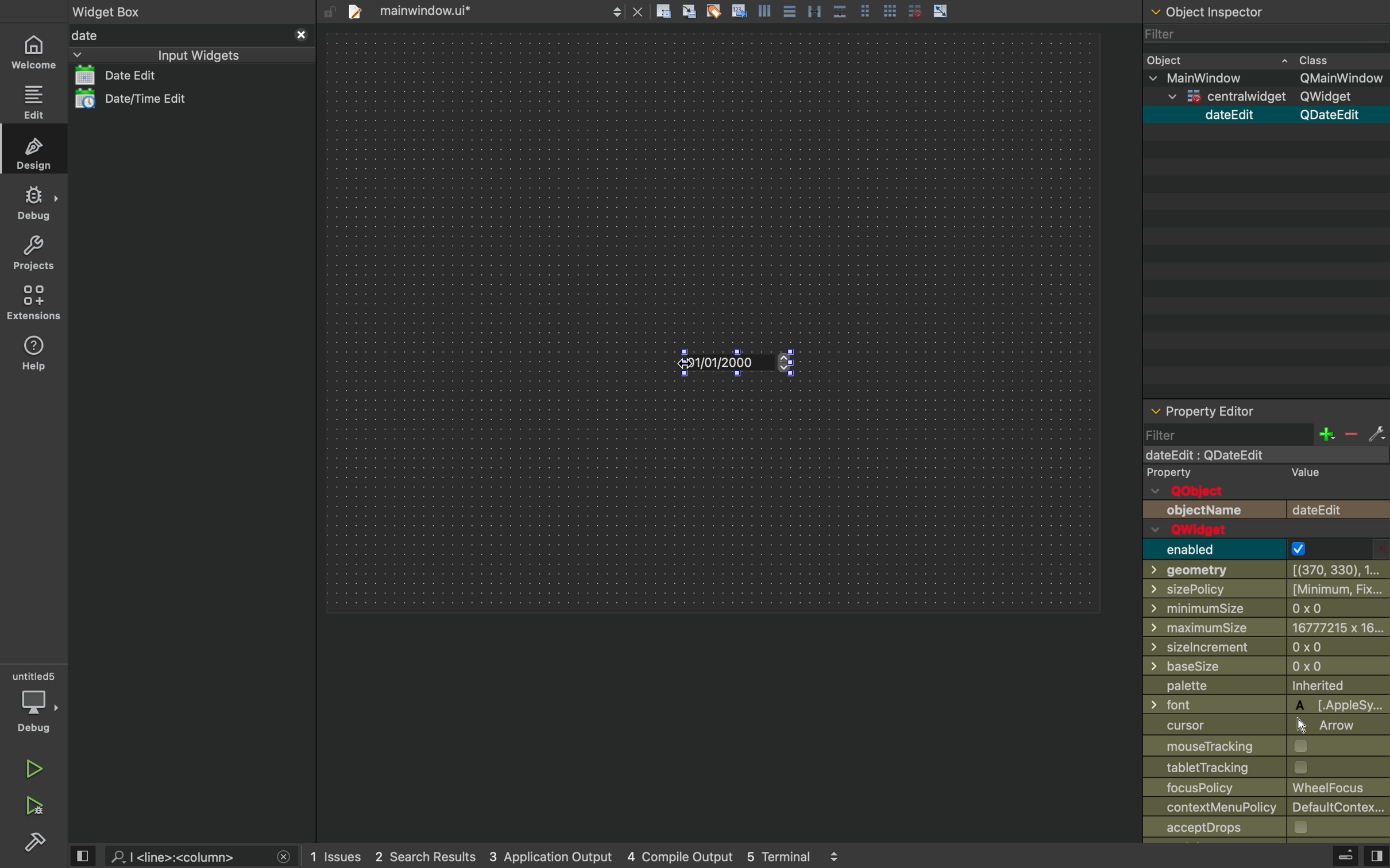 The height and width of the screenshot is (868, 1390). I want to click on date, so click(179, 36).